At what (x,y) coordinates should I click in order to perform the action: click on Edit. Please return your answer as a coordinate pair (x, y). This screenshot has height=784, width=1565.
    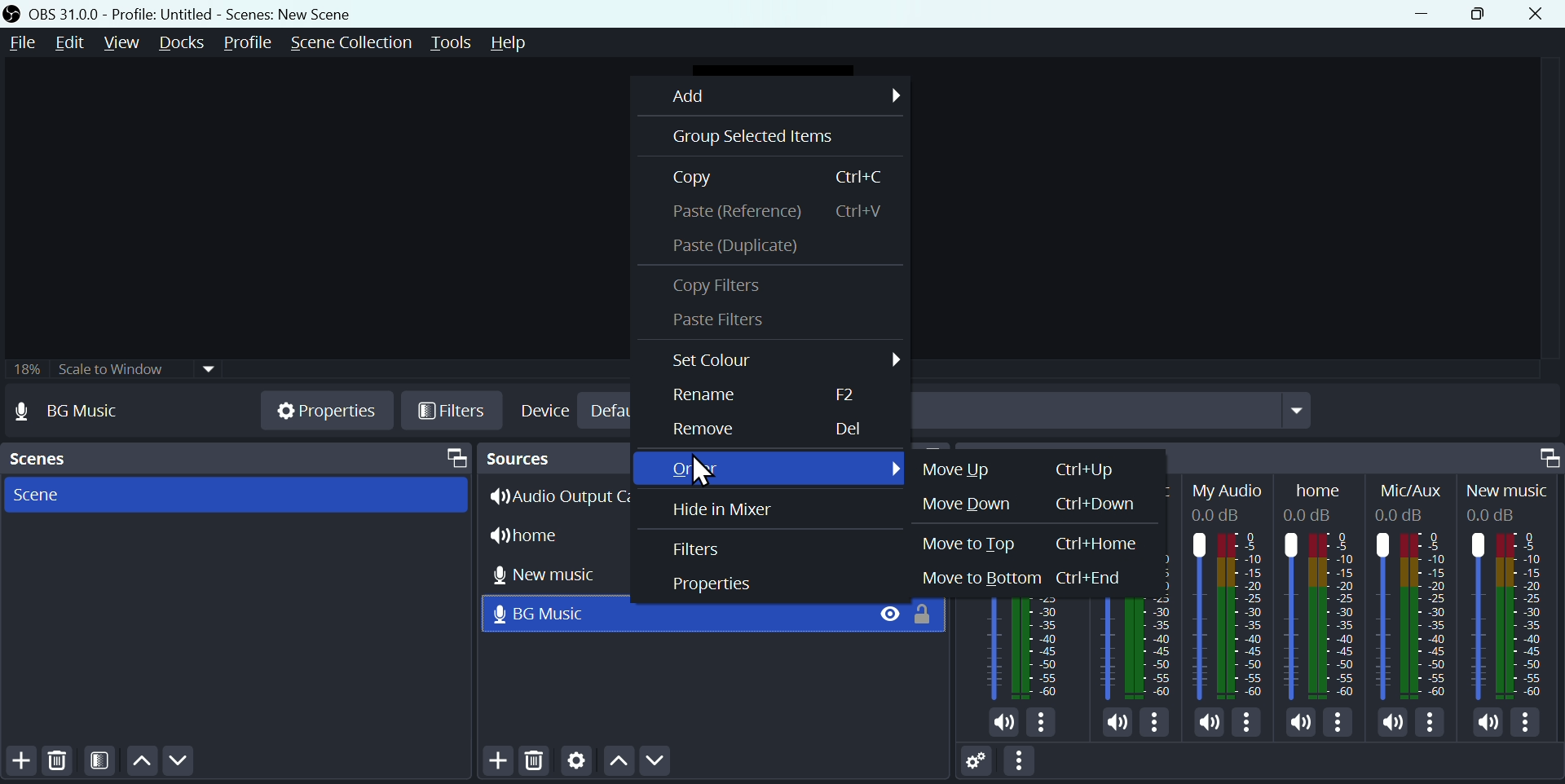
    Looking at the image, I should click on (76, 44).